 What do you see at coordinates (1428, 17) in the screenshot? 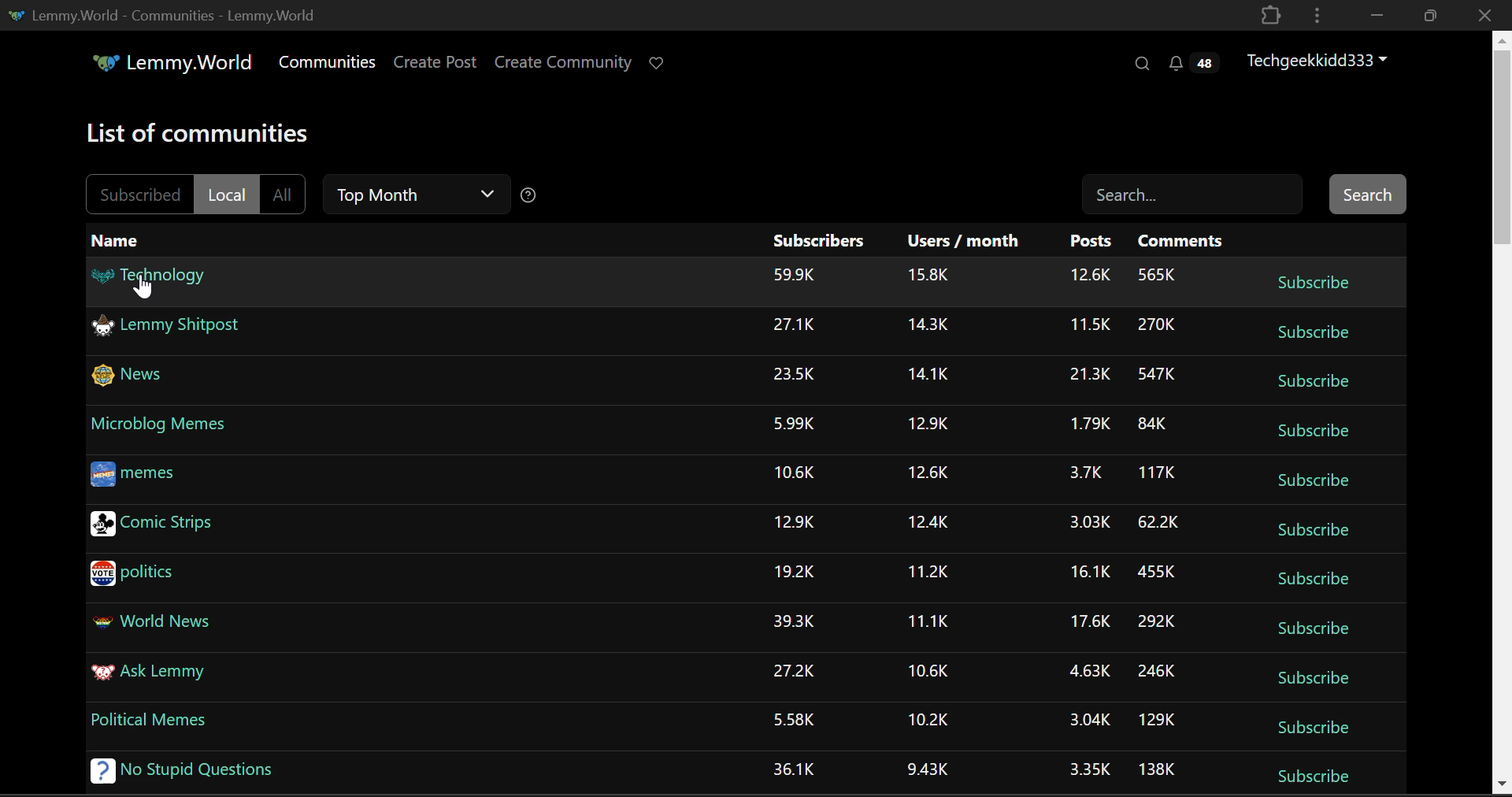
I see `Minimize Window` at bounding box center [1428, 17].